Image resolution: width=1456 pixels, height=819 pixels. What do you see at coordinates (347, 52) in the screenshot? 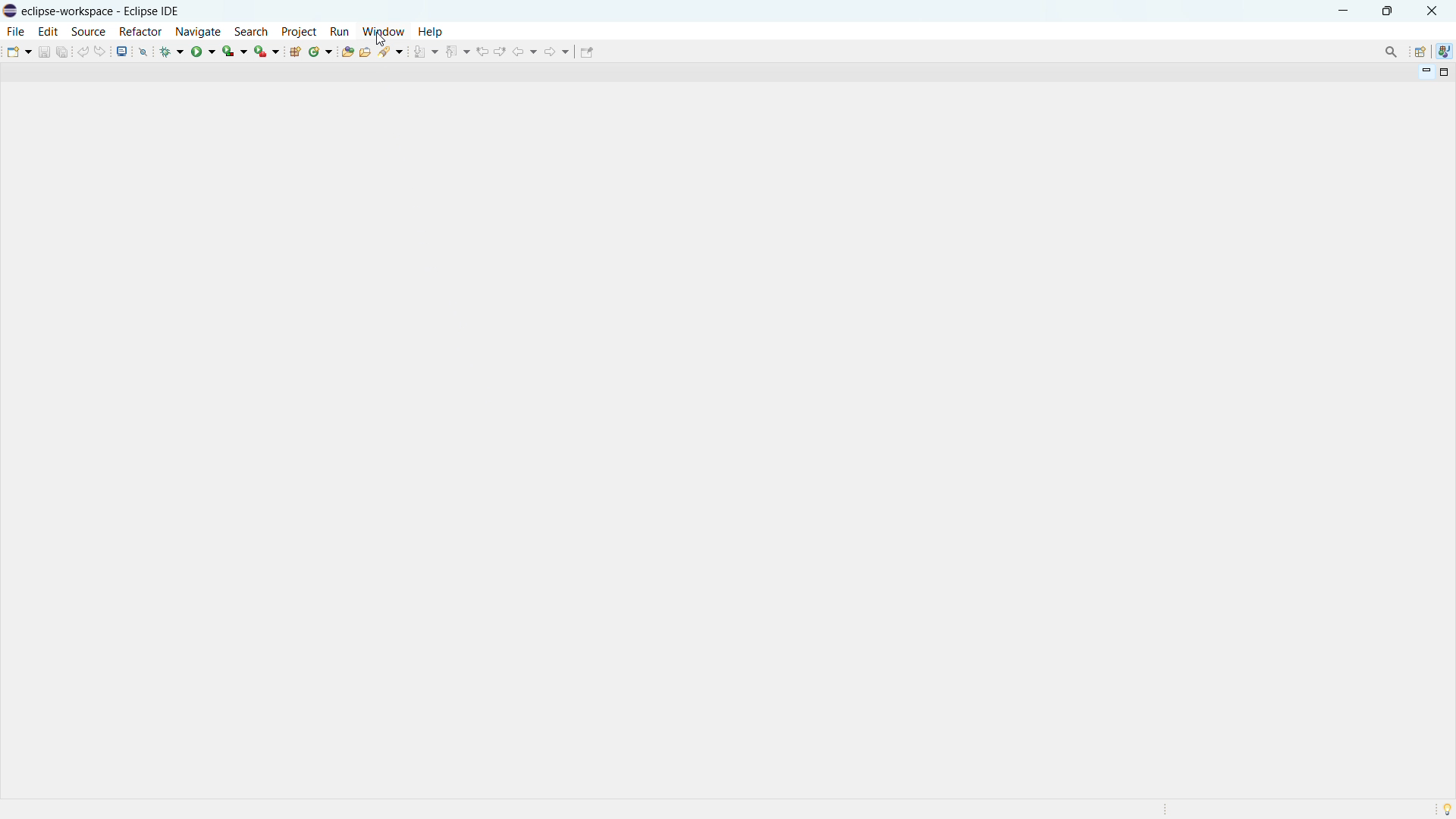
I see `open type` at bounding box center [347, 52].